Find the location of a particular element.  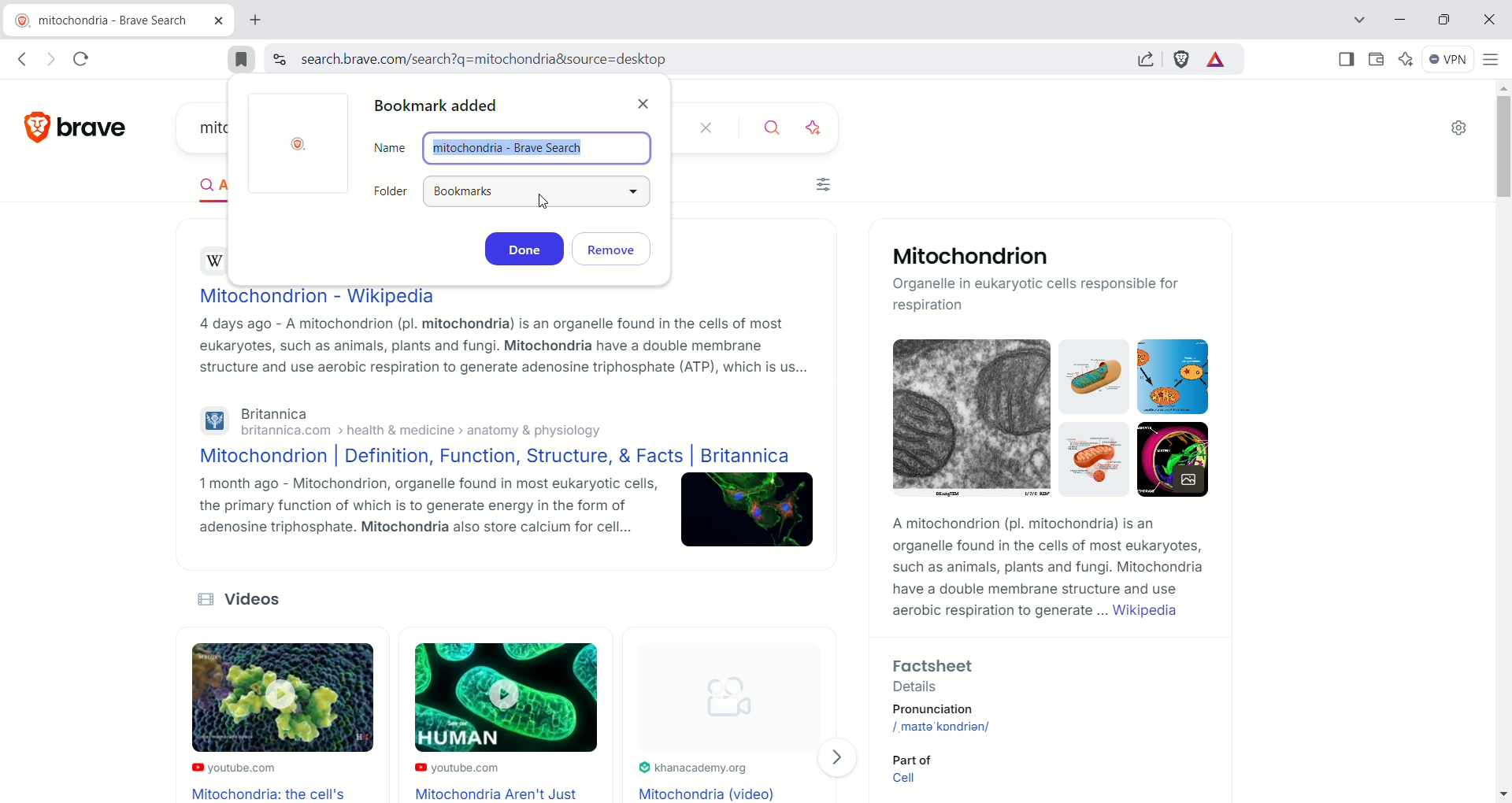

brave shield is located at coordinates (1184, 57).